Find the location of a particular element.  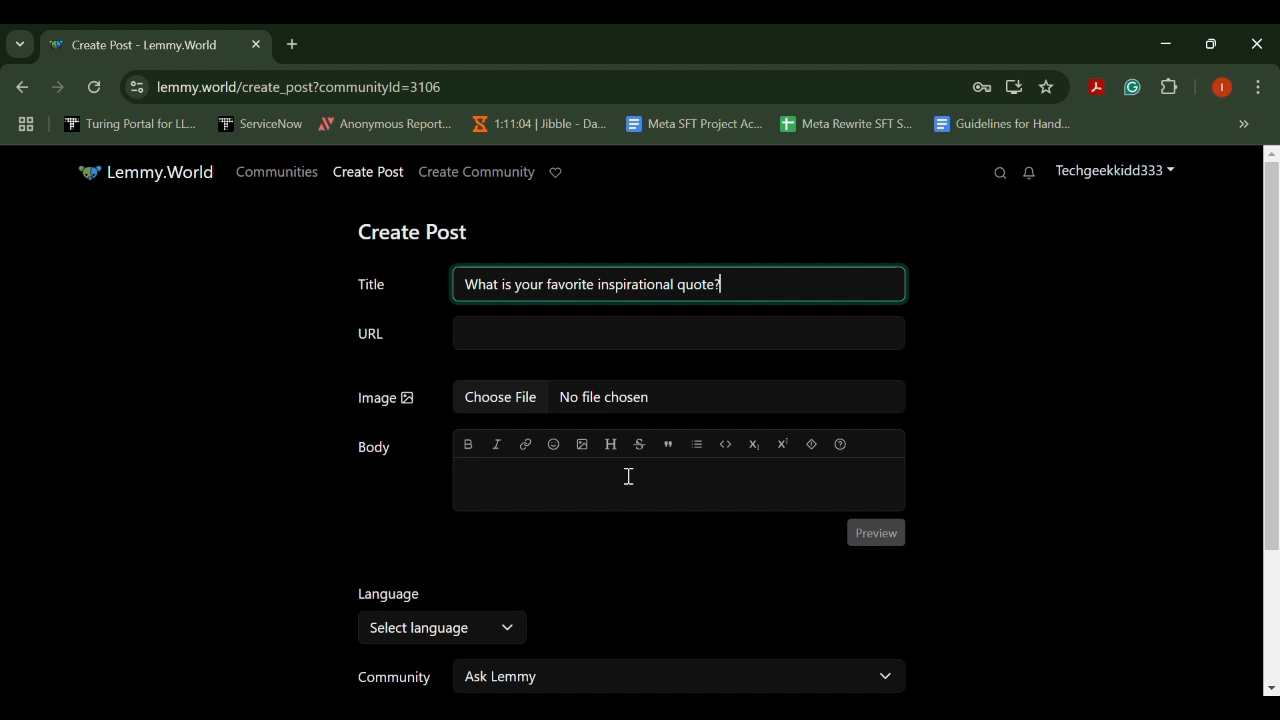

Cursor on Post Body Textbox is located at coordinates (628, 478).